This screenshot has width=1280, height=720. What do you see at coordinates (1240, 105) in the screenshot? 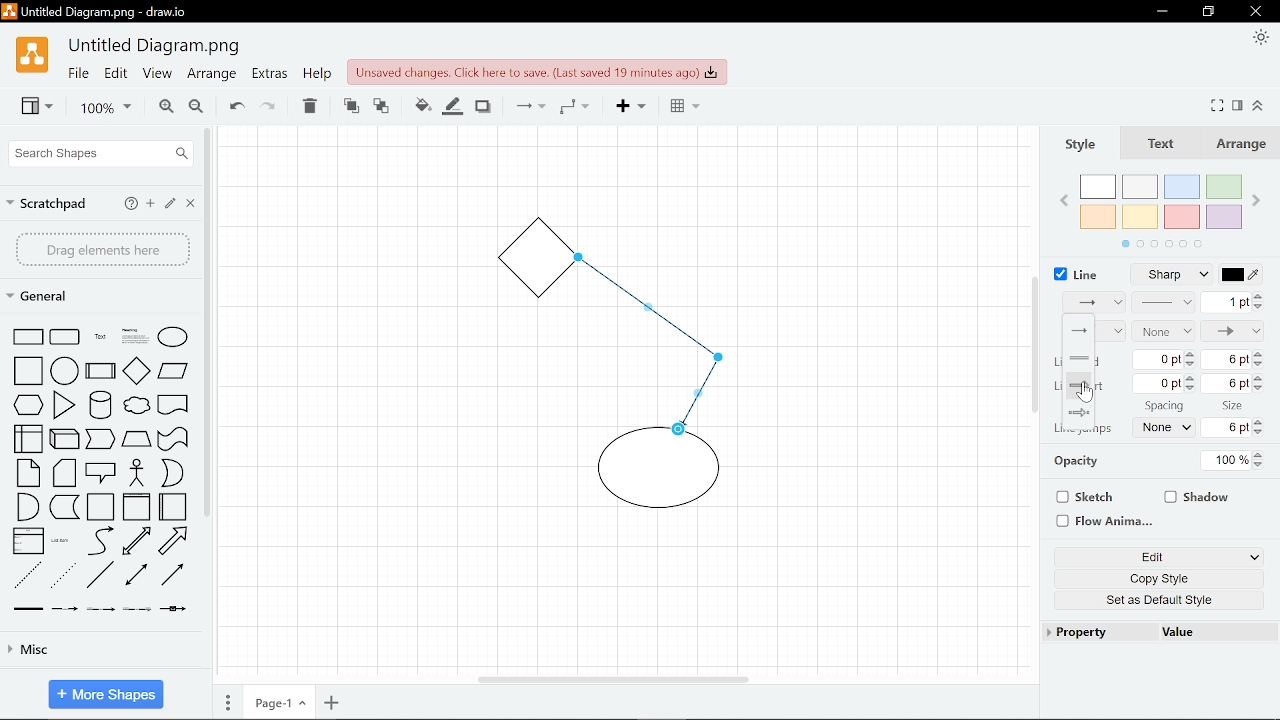
I see `Format` at bounding box center [1240, 105].